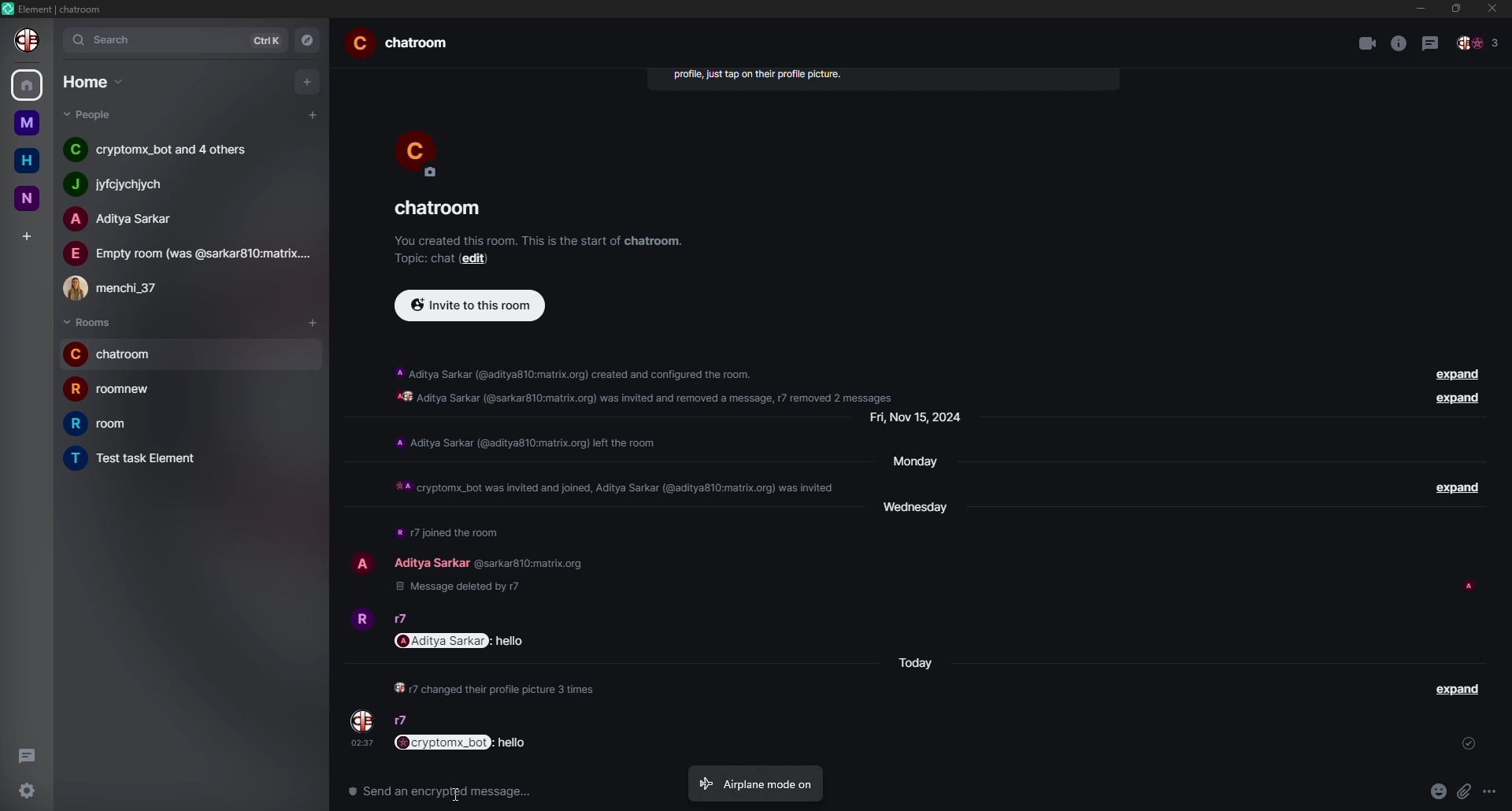  What do you see at coordinates (757, 72) in the screenshot?
I see `info` at bounding box center [757, 72].